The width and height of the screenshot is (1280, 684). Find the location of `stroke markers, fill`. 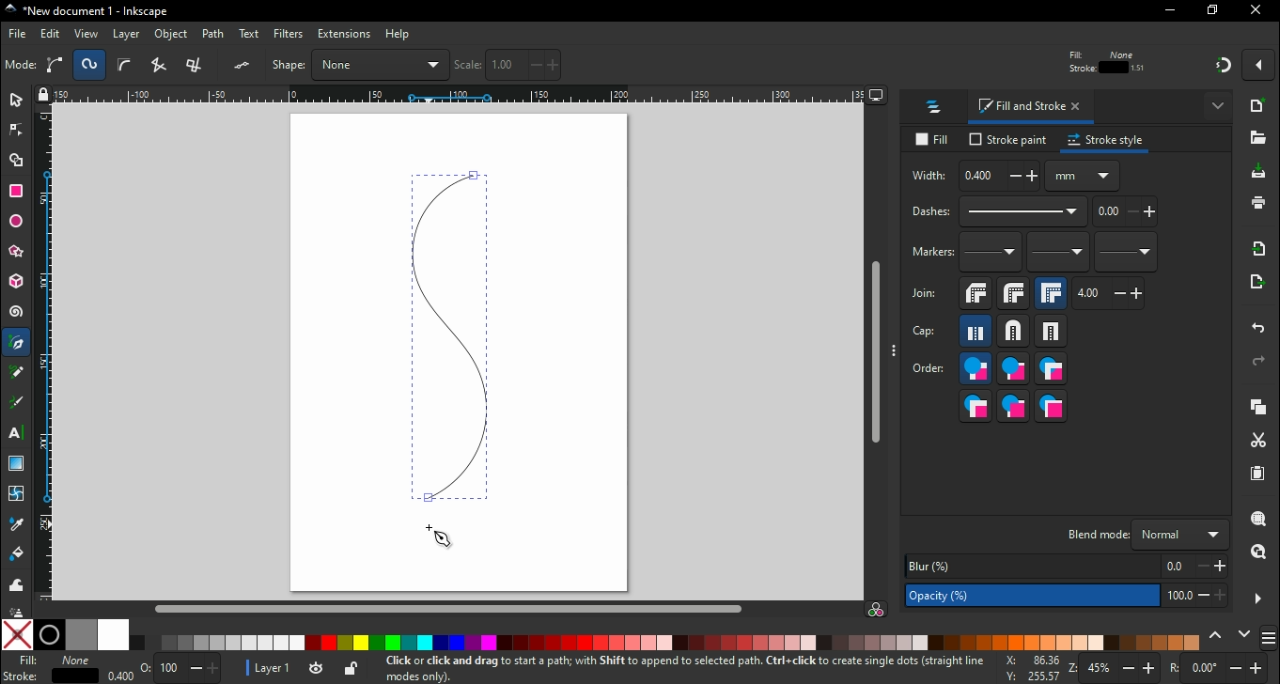

stroke markers, fill is located at coordinates (1015, 408).